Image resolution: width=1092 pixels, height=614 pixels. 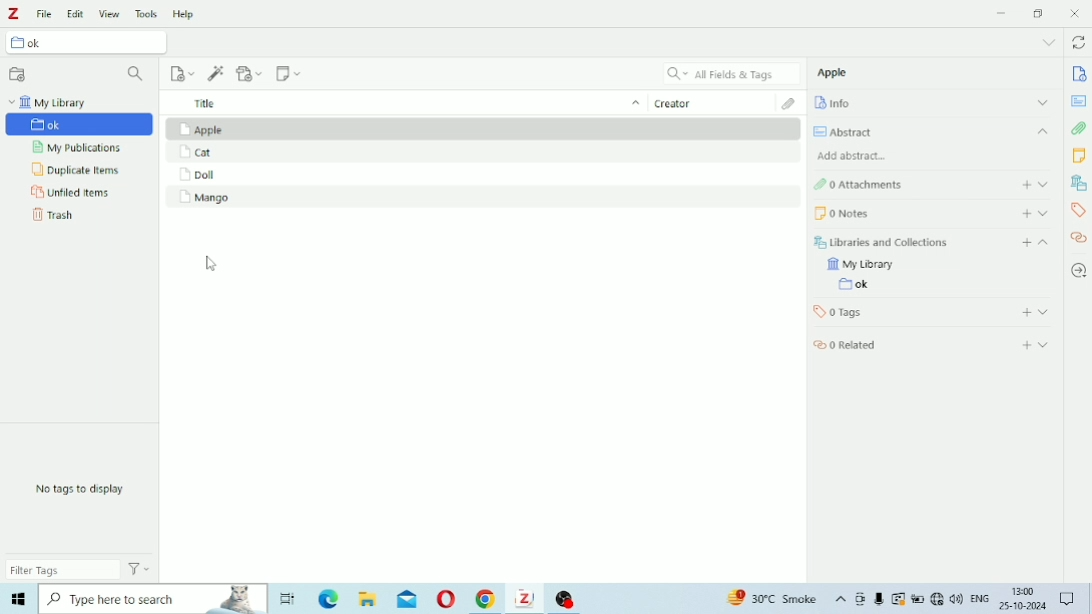 I want to click on Mango, so click(x=203, y=198).